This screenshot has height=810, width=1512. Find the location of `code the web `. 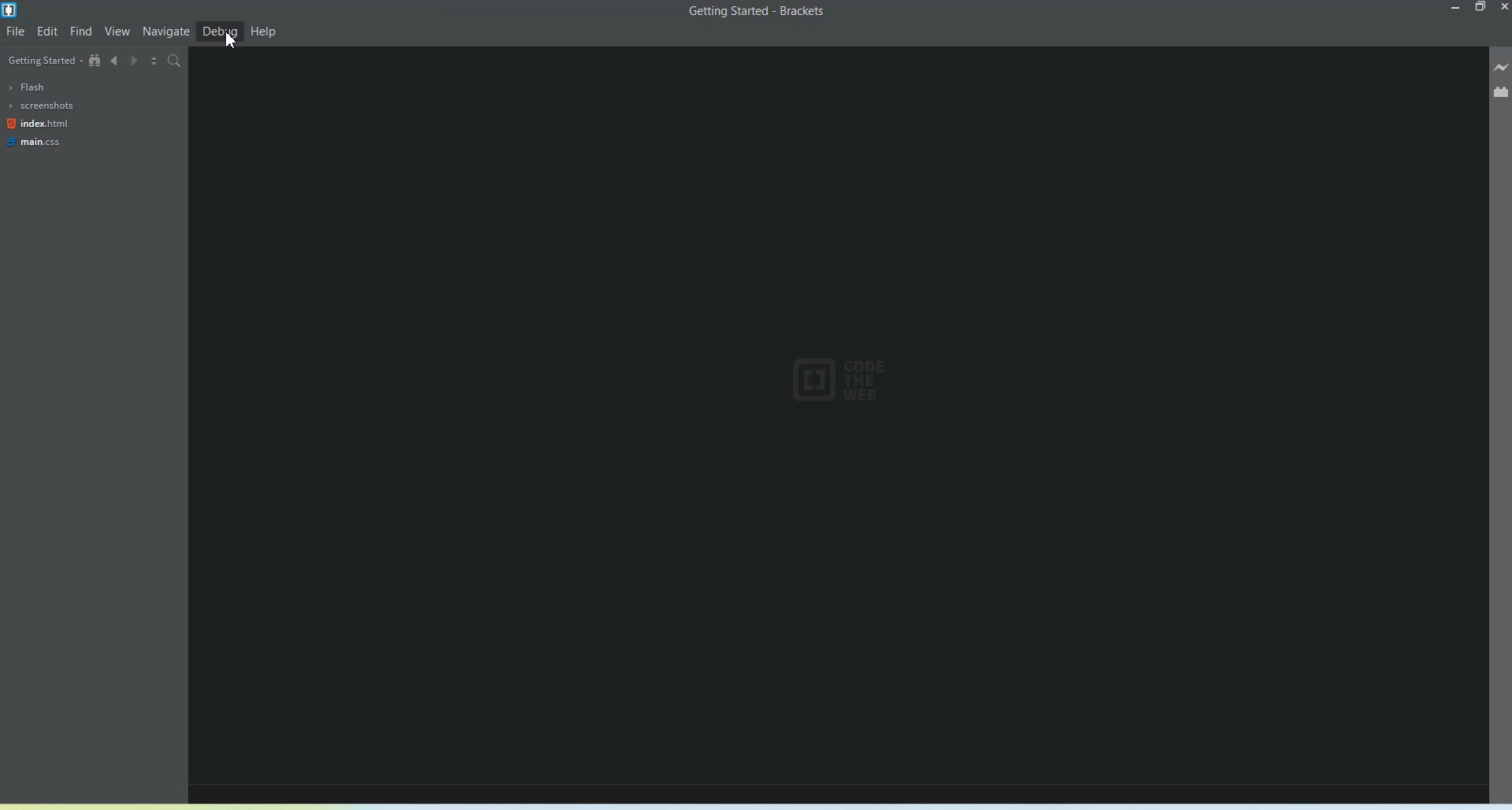

code the web  is located at coordinates (832, 383).